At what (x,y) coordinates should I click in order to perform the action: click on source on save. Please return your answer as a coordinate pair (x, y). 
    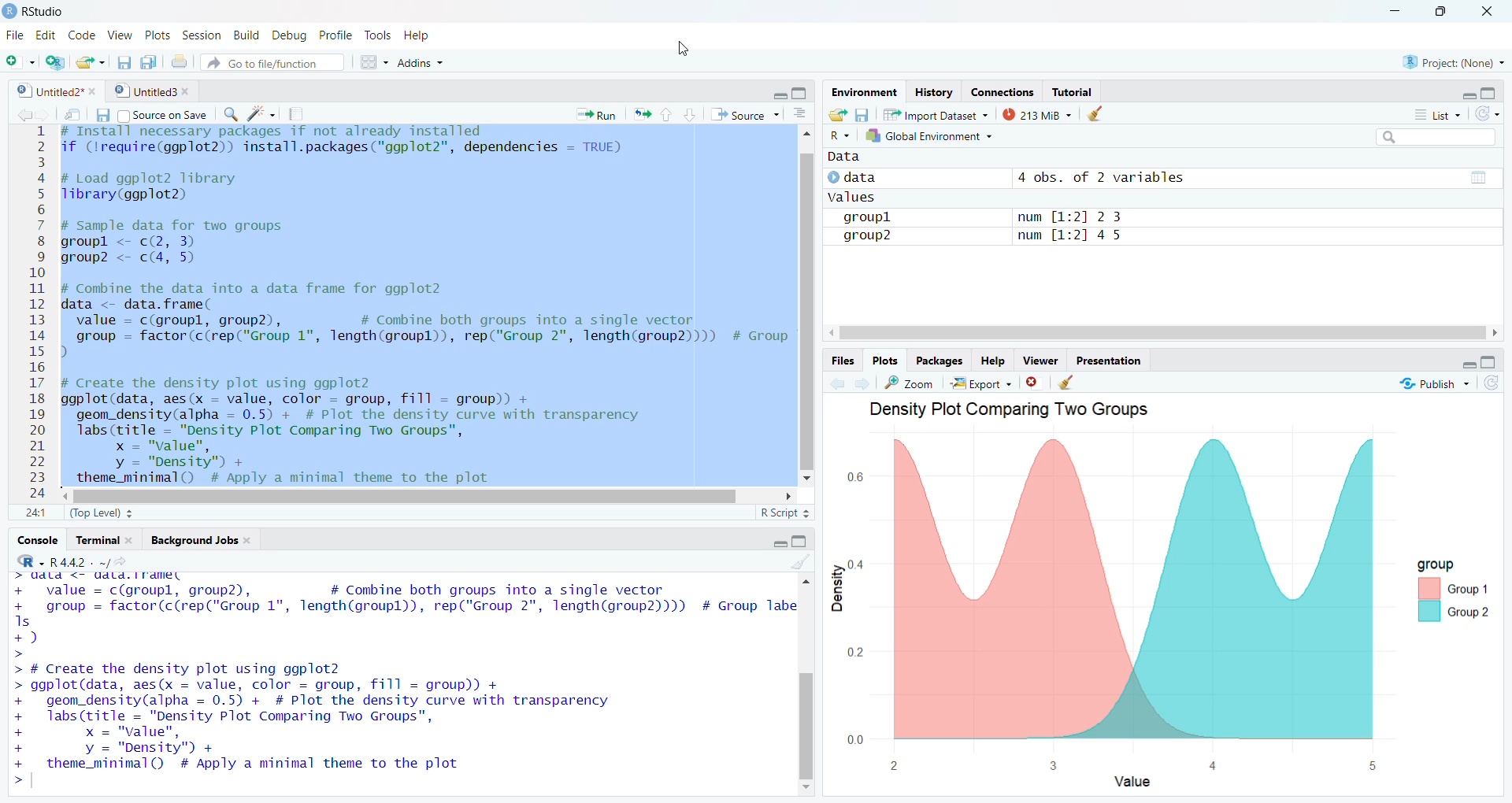
    Looking at the image, I should click on (164, 115).